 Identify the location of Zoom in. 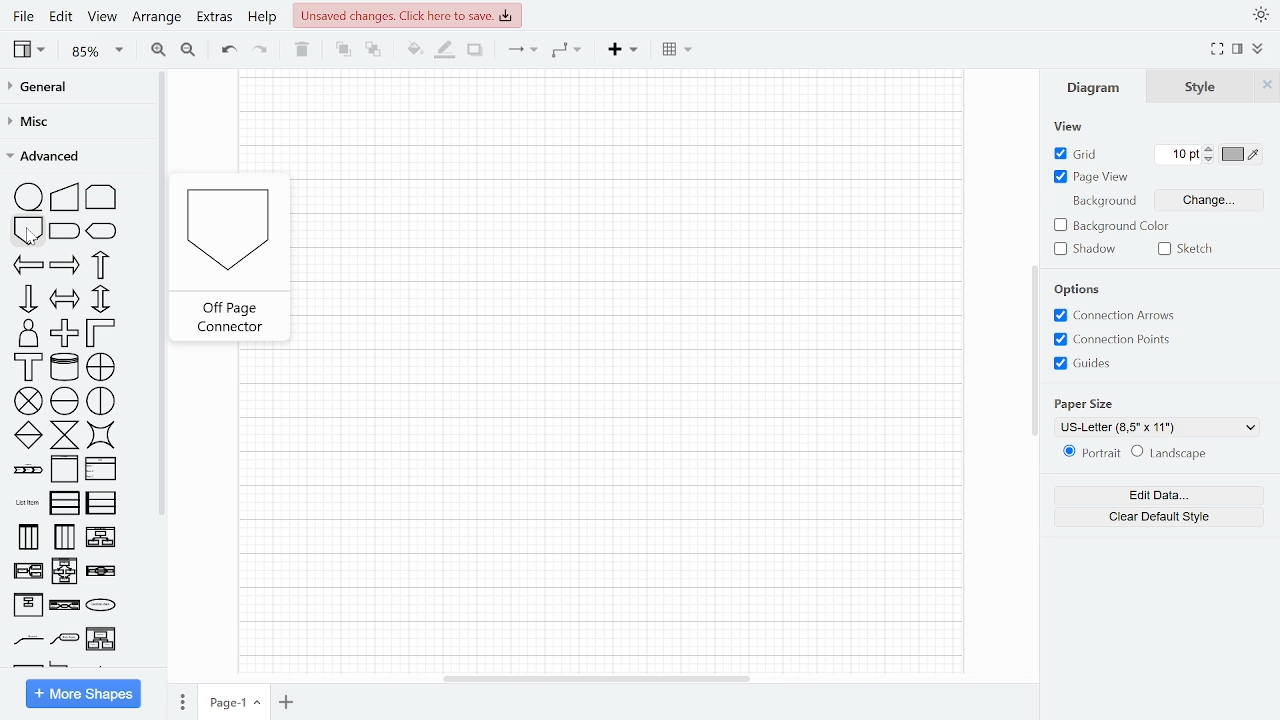
(158, 50).